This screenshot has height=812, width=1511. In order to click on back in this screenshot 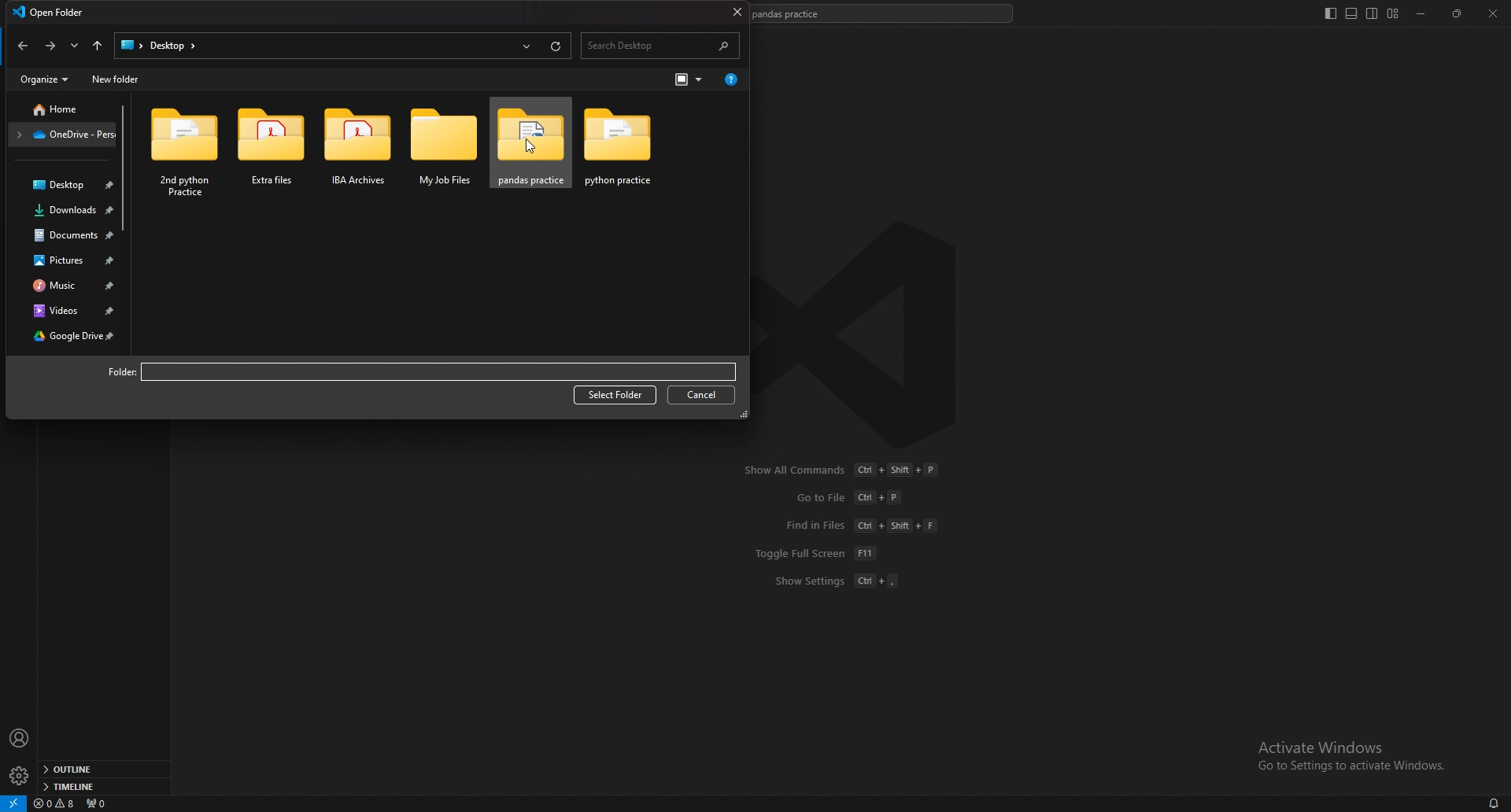, I will do `click(22, 46)`.